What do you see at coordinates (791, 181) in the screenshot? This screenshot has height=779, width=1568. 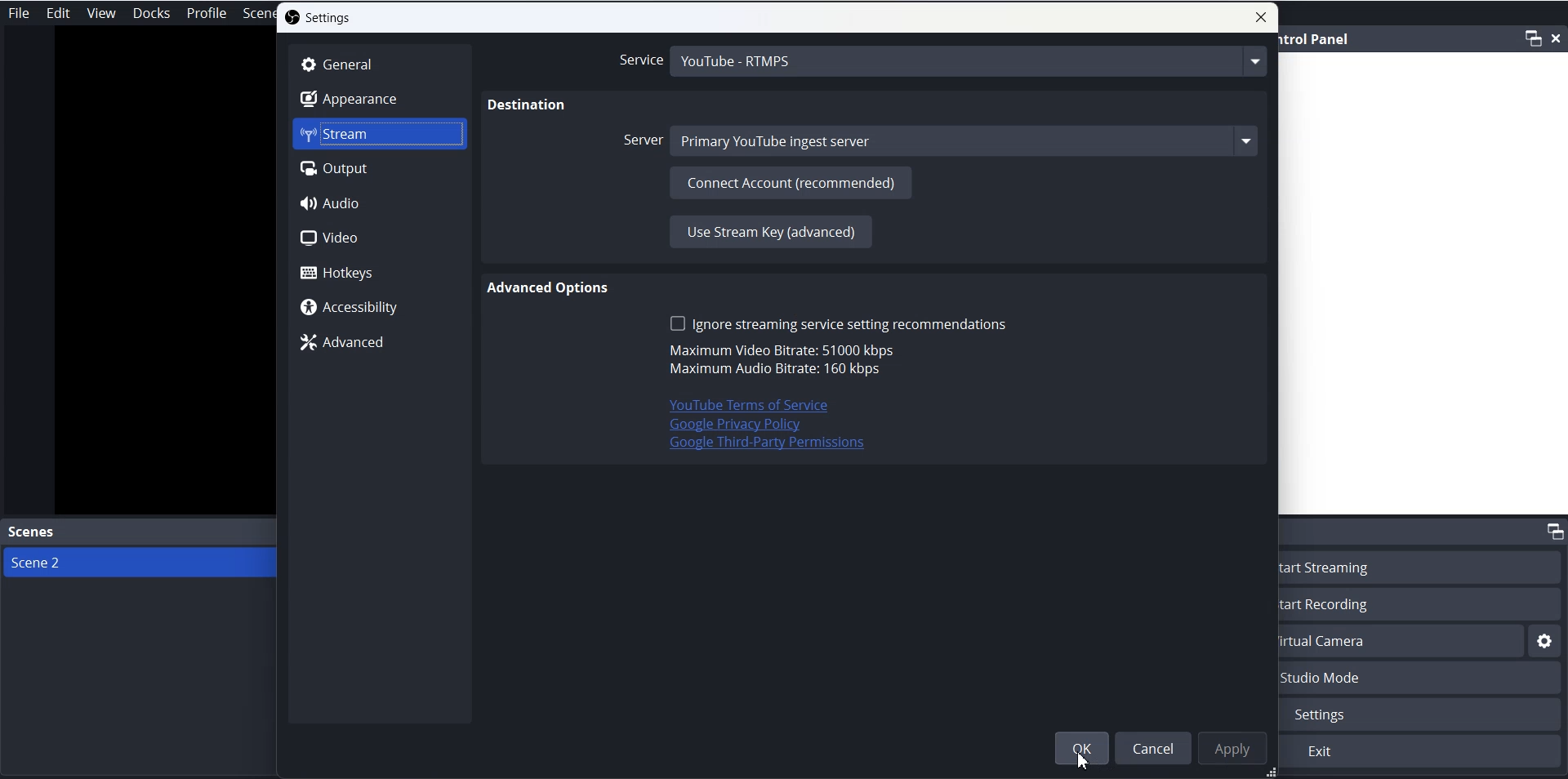 I see `Connect account recommended` at bounding box center [791, 181].